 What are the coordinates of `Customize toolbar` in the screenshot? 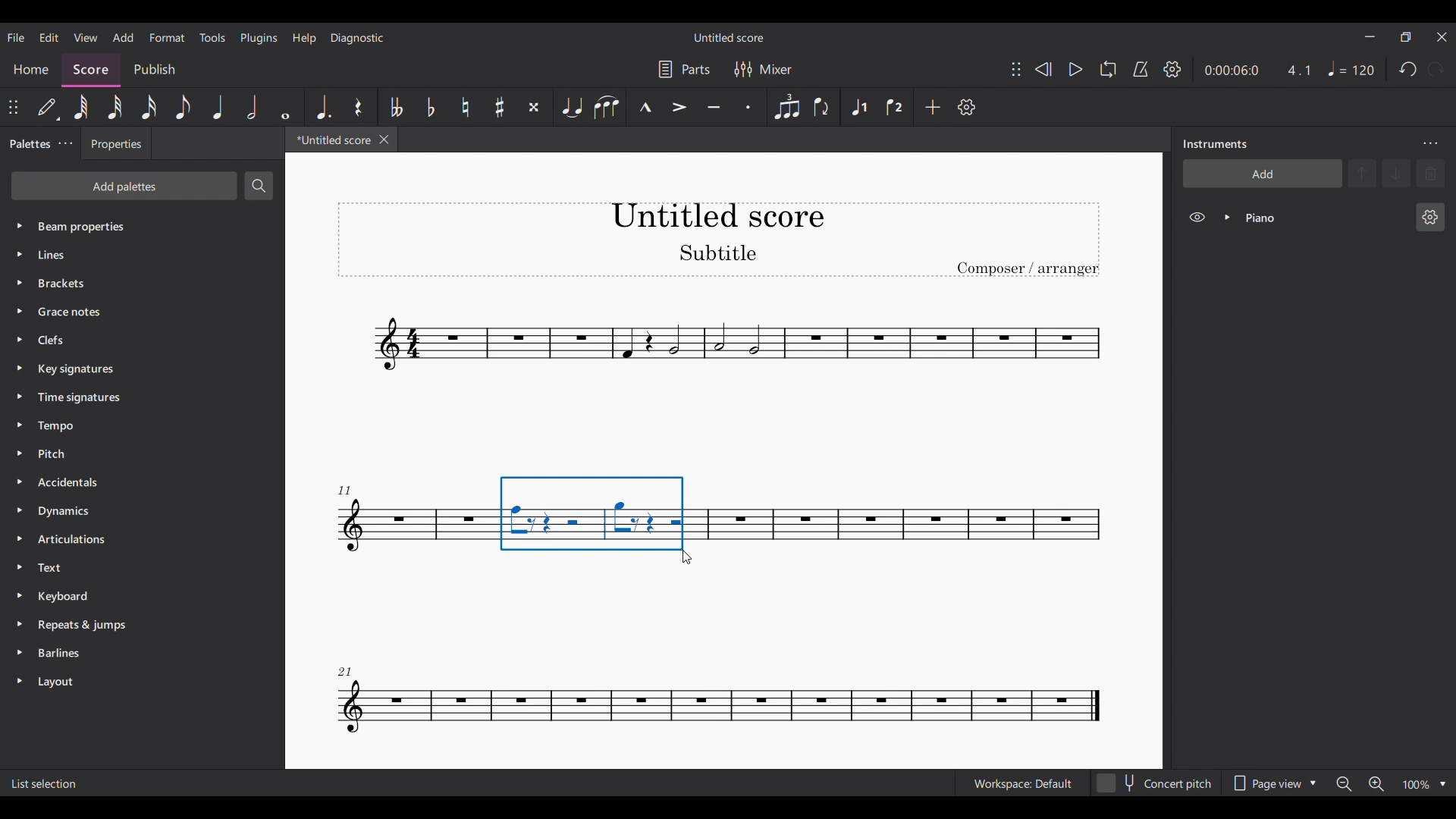 It's located at (966, 108).